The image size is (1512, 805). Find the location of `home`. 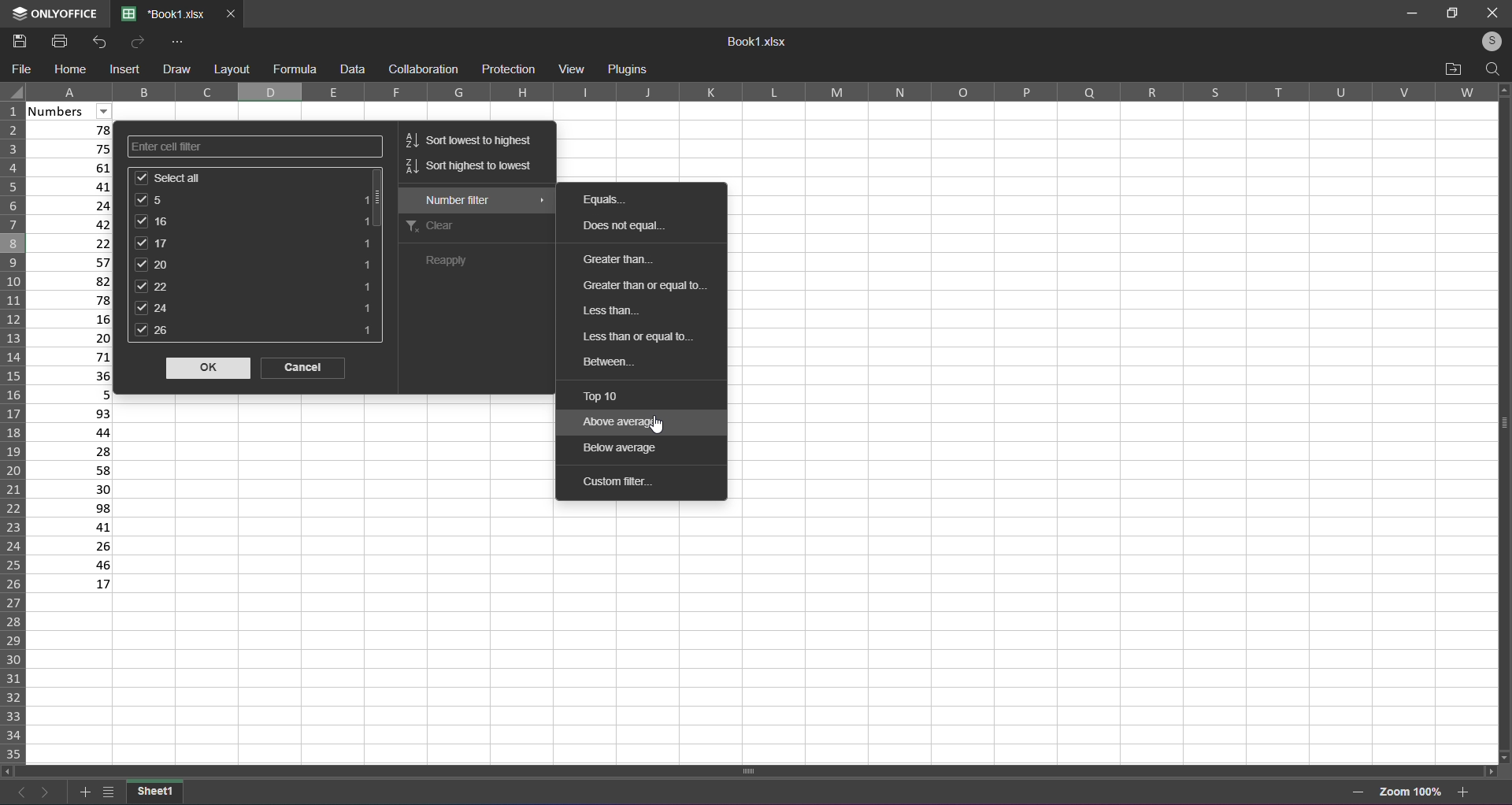

home is located at coordinates (71, 69).